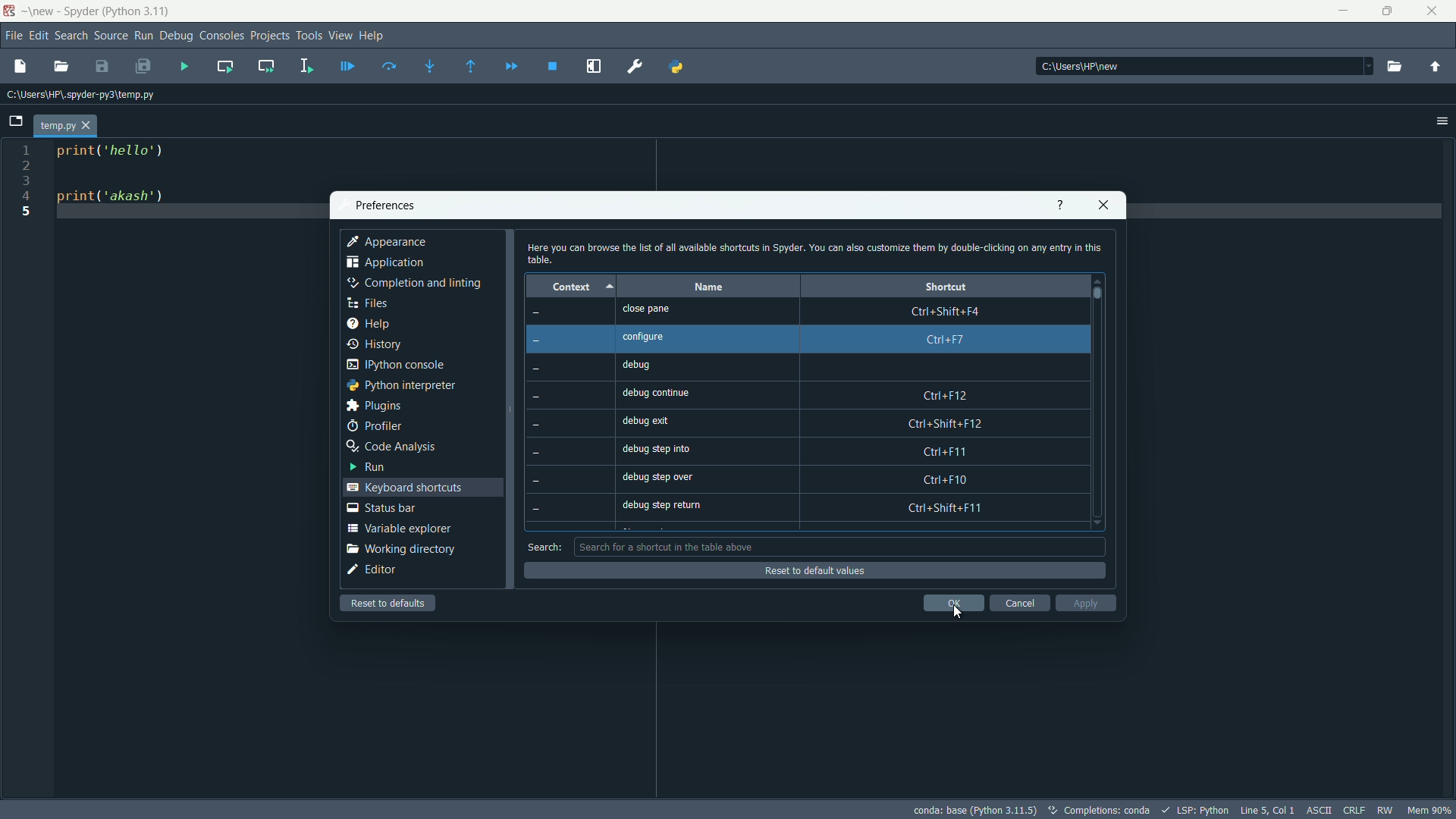 This screenshot has width=1456, height=819. Describe the element at coordinates (1343, 11) in the screenshot. I see `minimize` at that location.